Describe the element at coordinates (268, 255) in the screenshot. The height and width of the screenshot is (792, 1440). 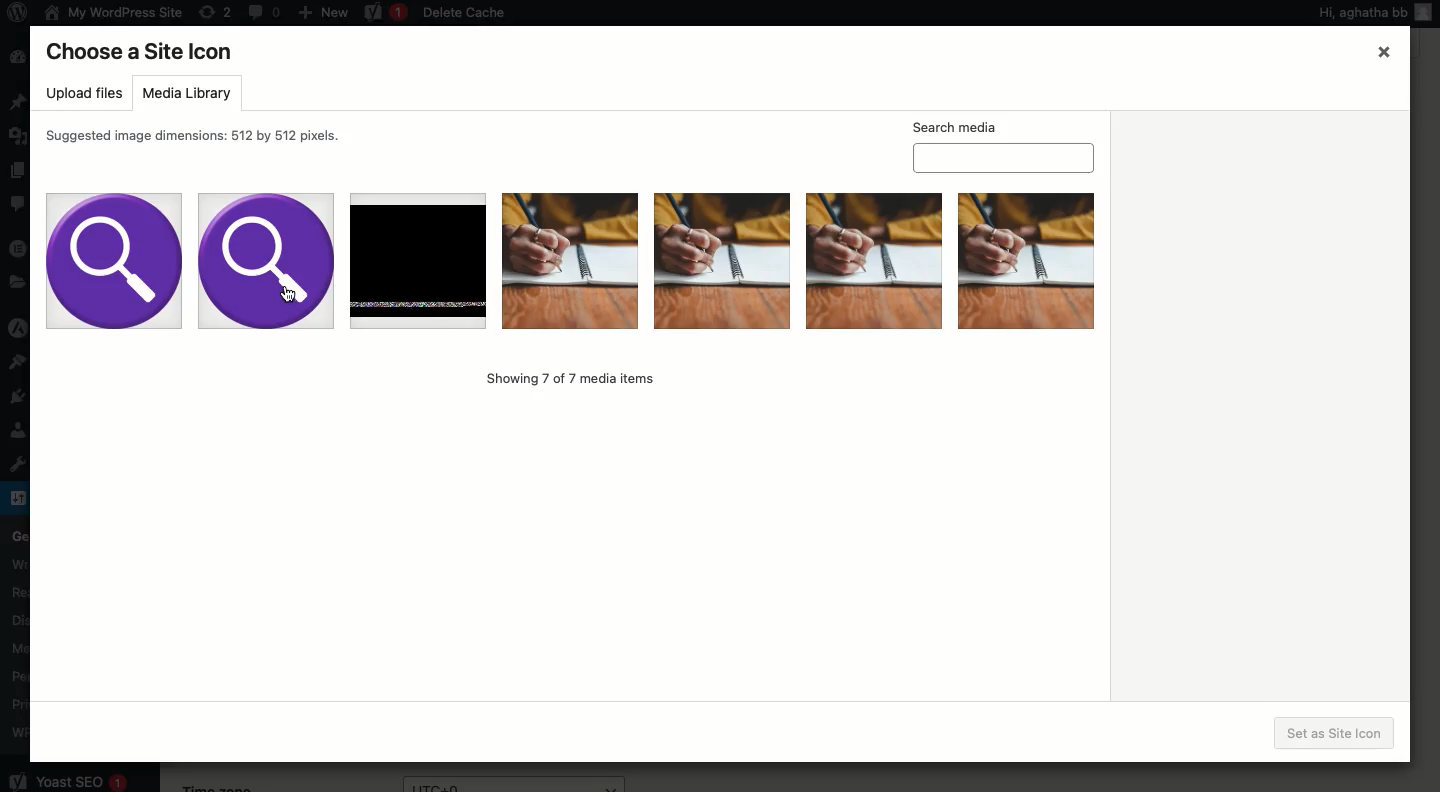
I see `Image` at that location.